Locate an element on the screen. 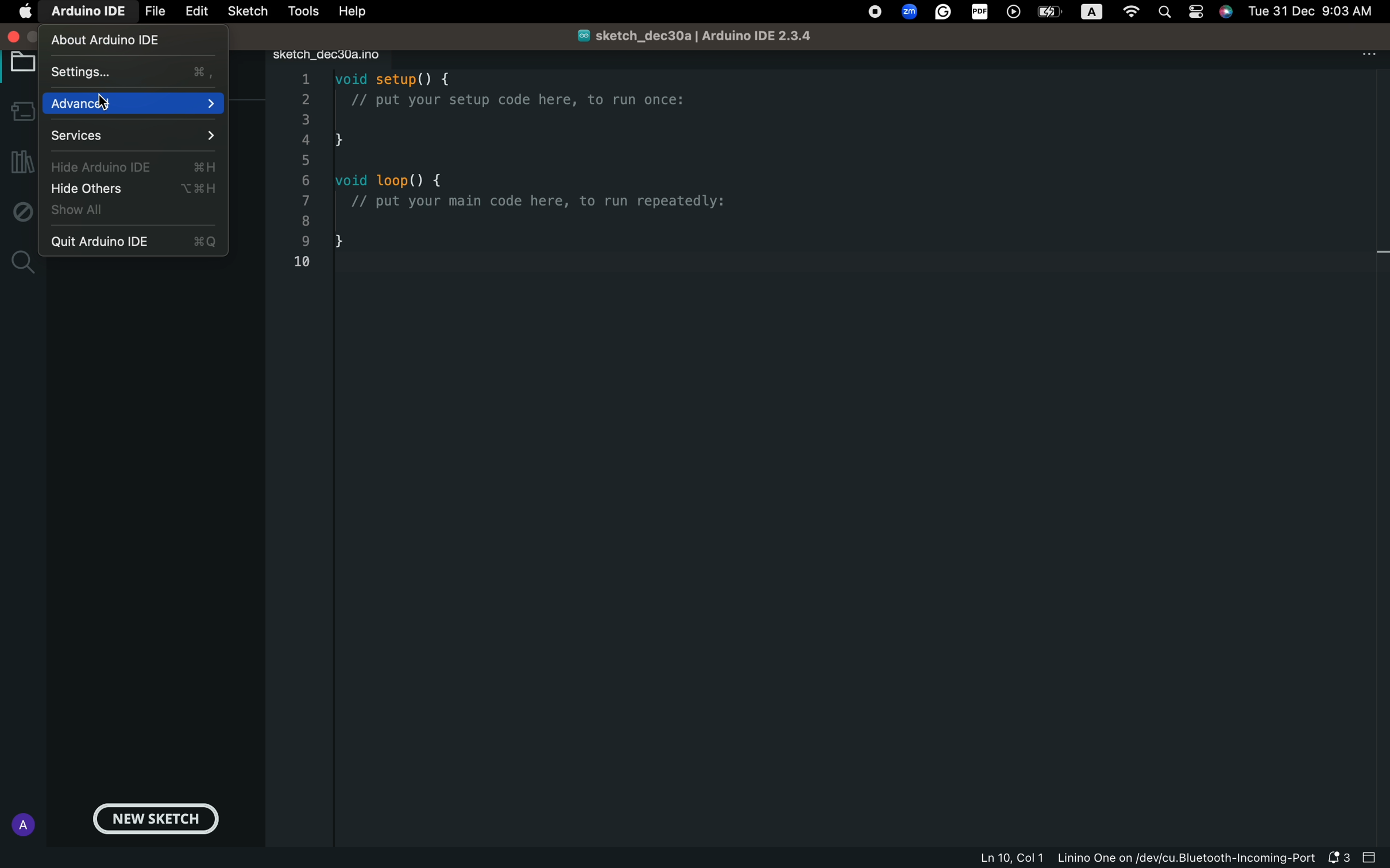 This screenshot has height=868, width=1390. QUit is located at coordinates (138, 242).